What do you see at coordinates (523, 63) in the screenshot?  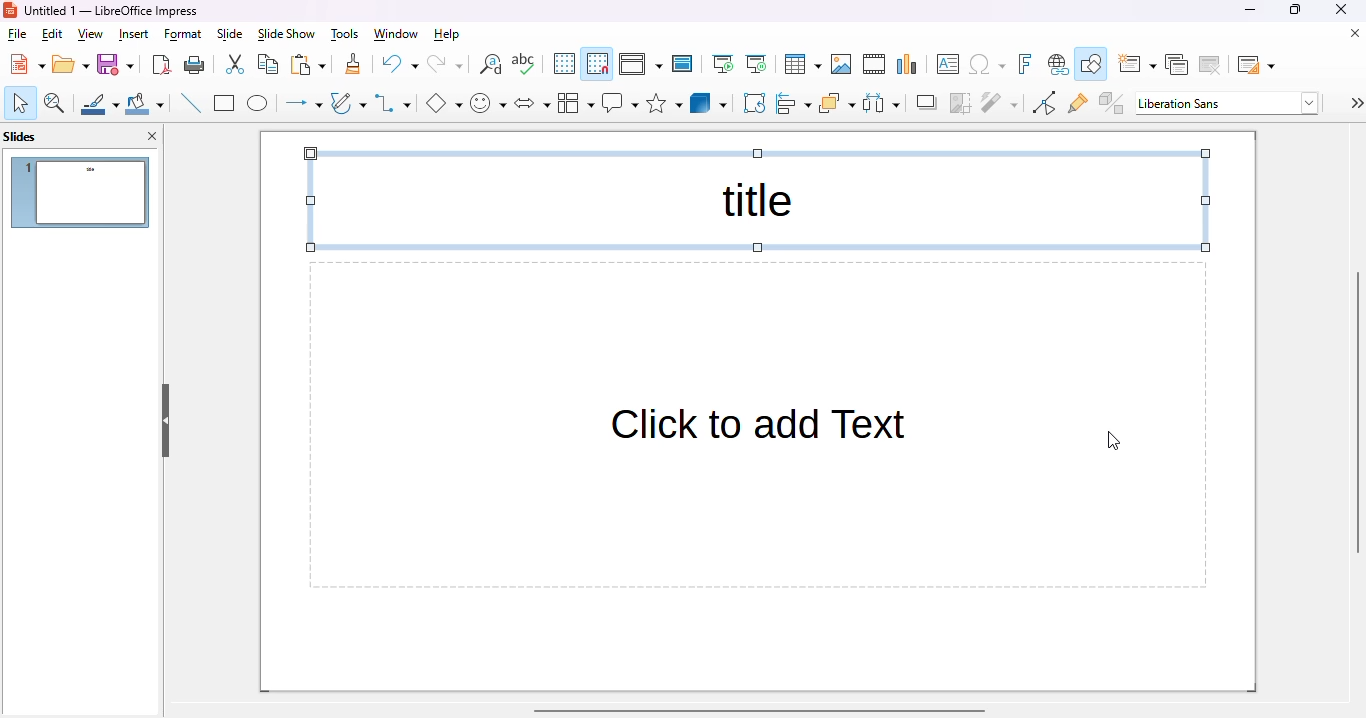 I see `check spelling` at bounding box center [523, 63].